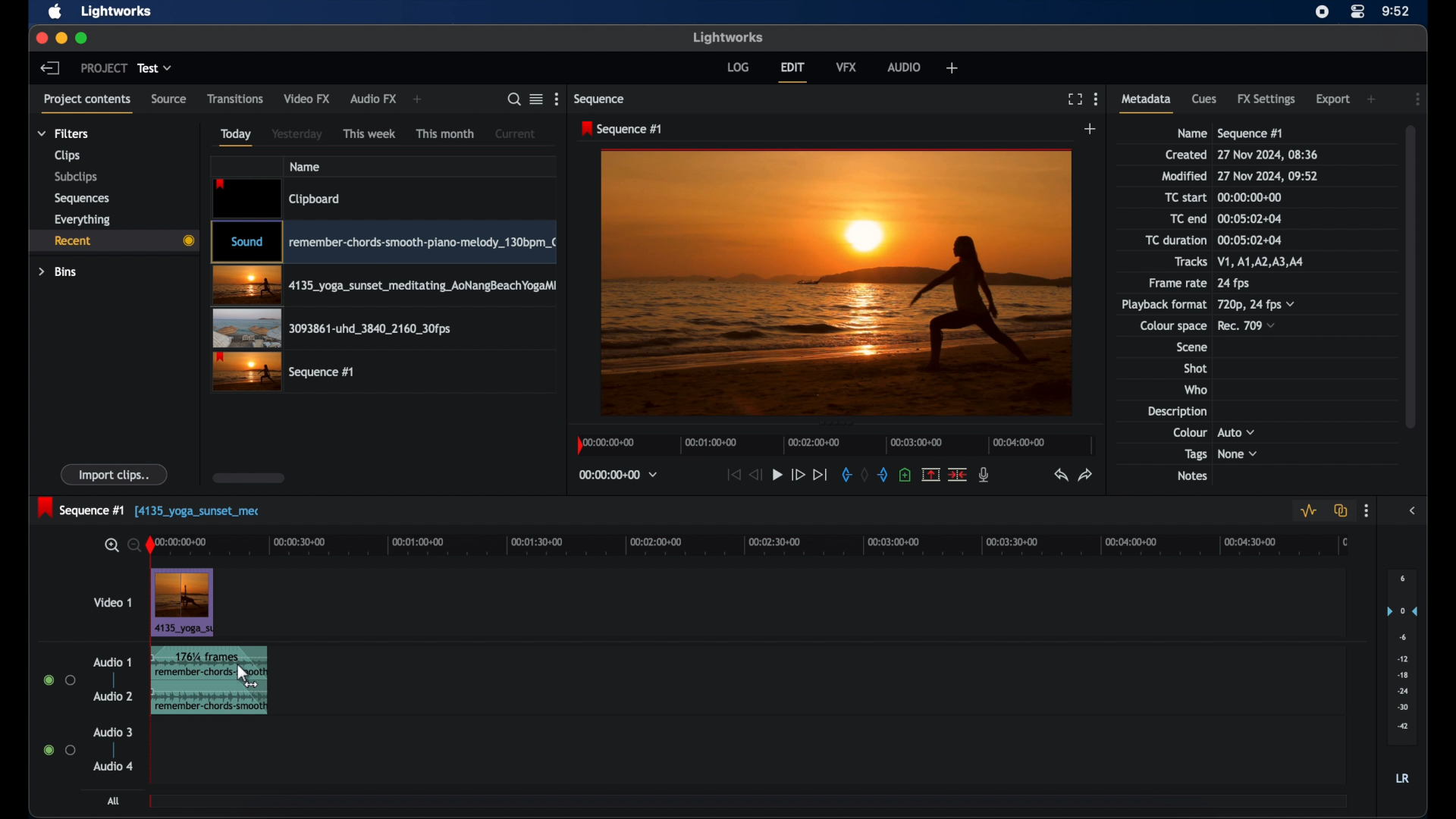 This screenshot has width=1456, height=819. Describe the element at coordinates (619, 475) in the screenshot. I see `timecodes and reels` at that location.